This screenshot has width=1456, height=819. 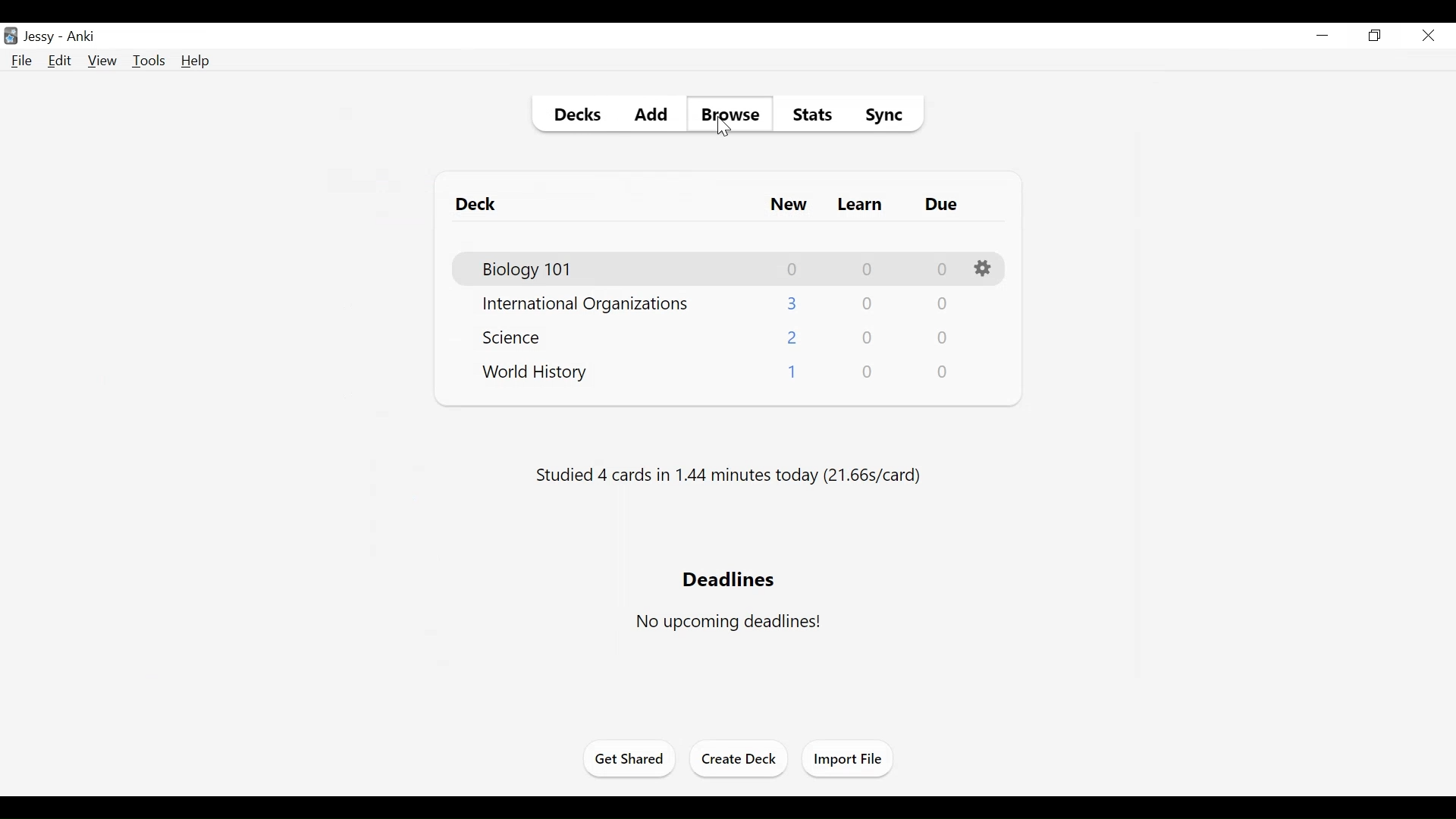 I want to click on Due Card Count, so click(x=943, y=372).